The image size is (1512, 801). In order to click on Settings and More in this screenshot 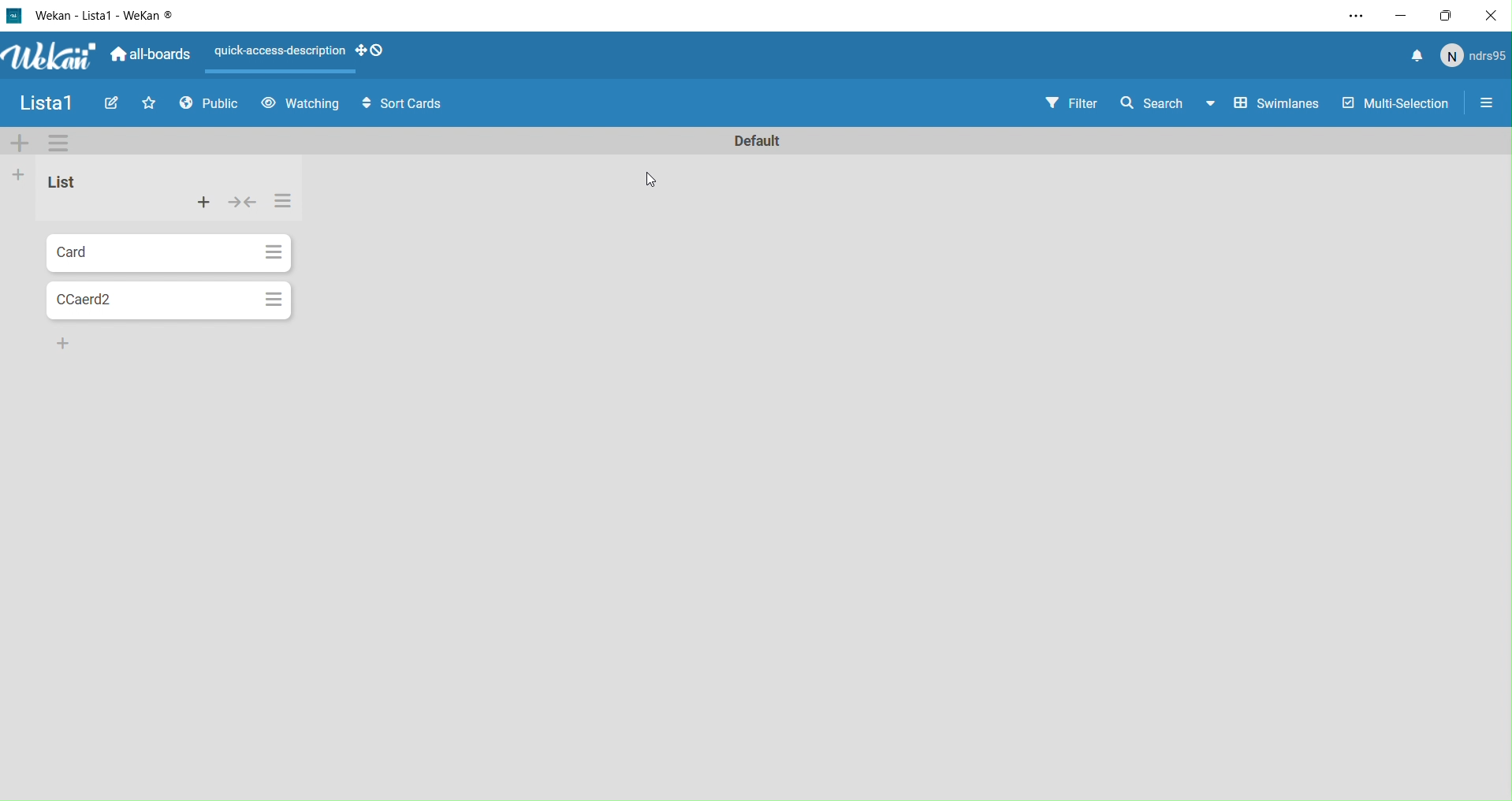, I will do `click(1361, 15)`.